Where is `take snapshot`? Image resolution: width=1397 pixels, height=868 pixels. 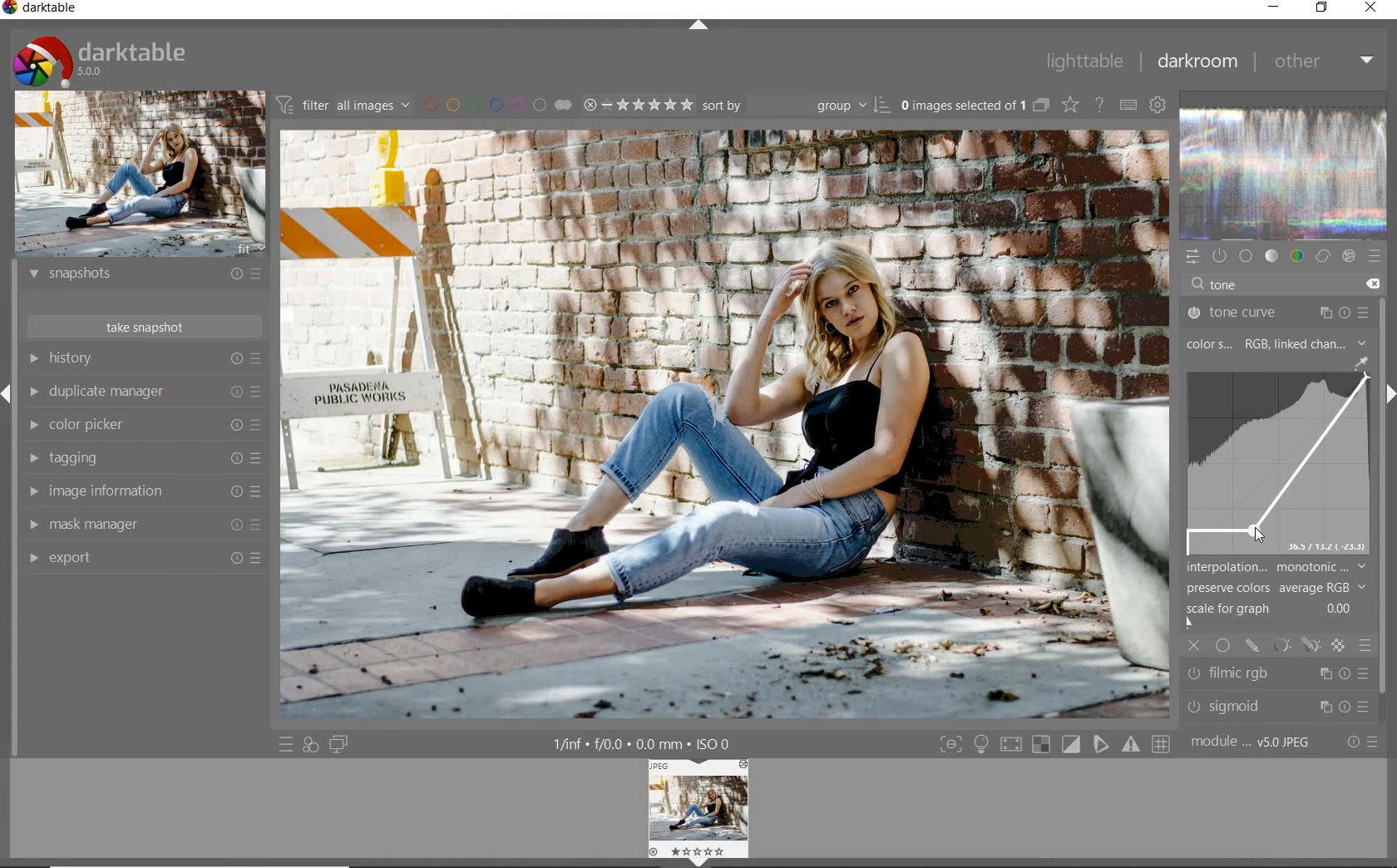
take snapshot is located at coordinates (142, 325).